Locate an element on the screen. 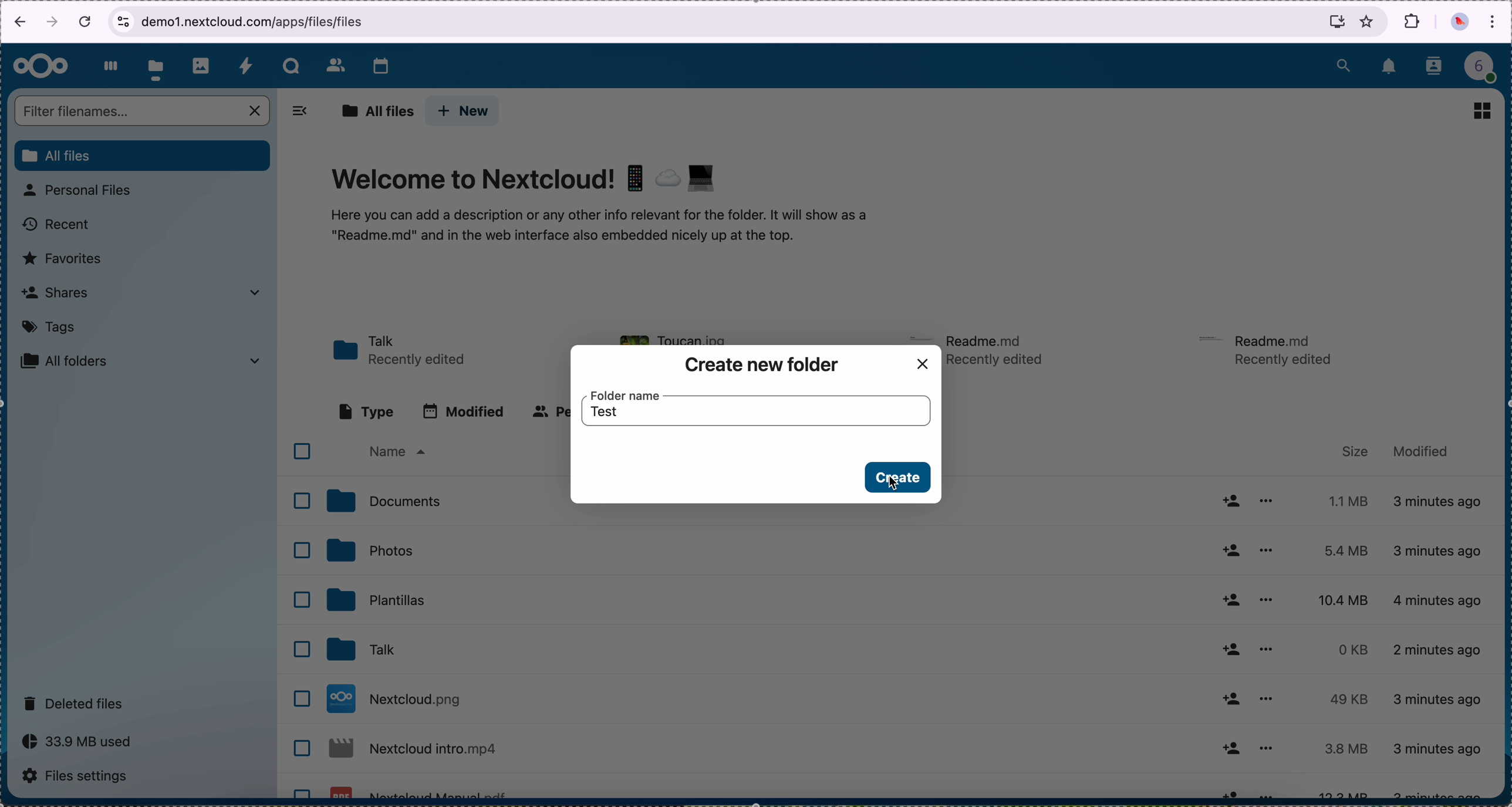 The width and height of the screenshot is (1512, 807). contacts is located at coordinates (335, 65).